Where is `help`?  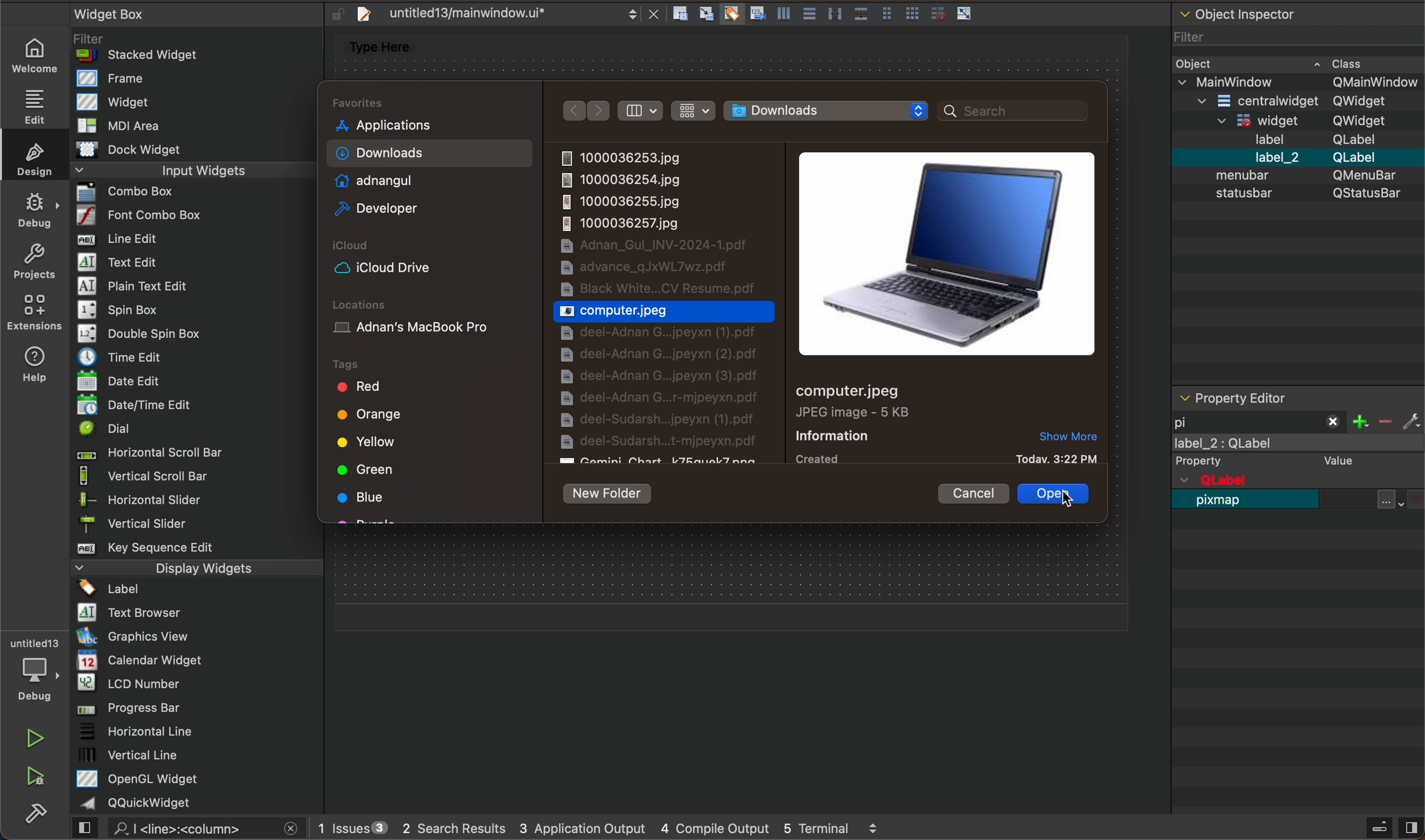
help is located at coordinates (40, 362).